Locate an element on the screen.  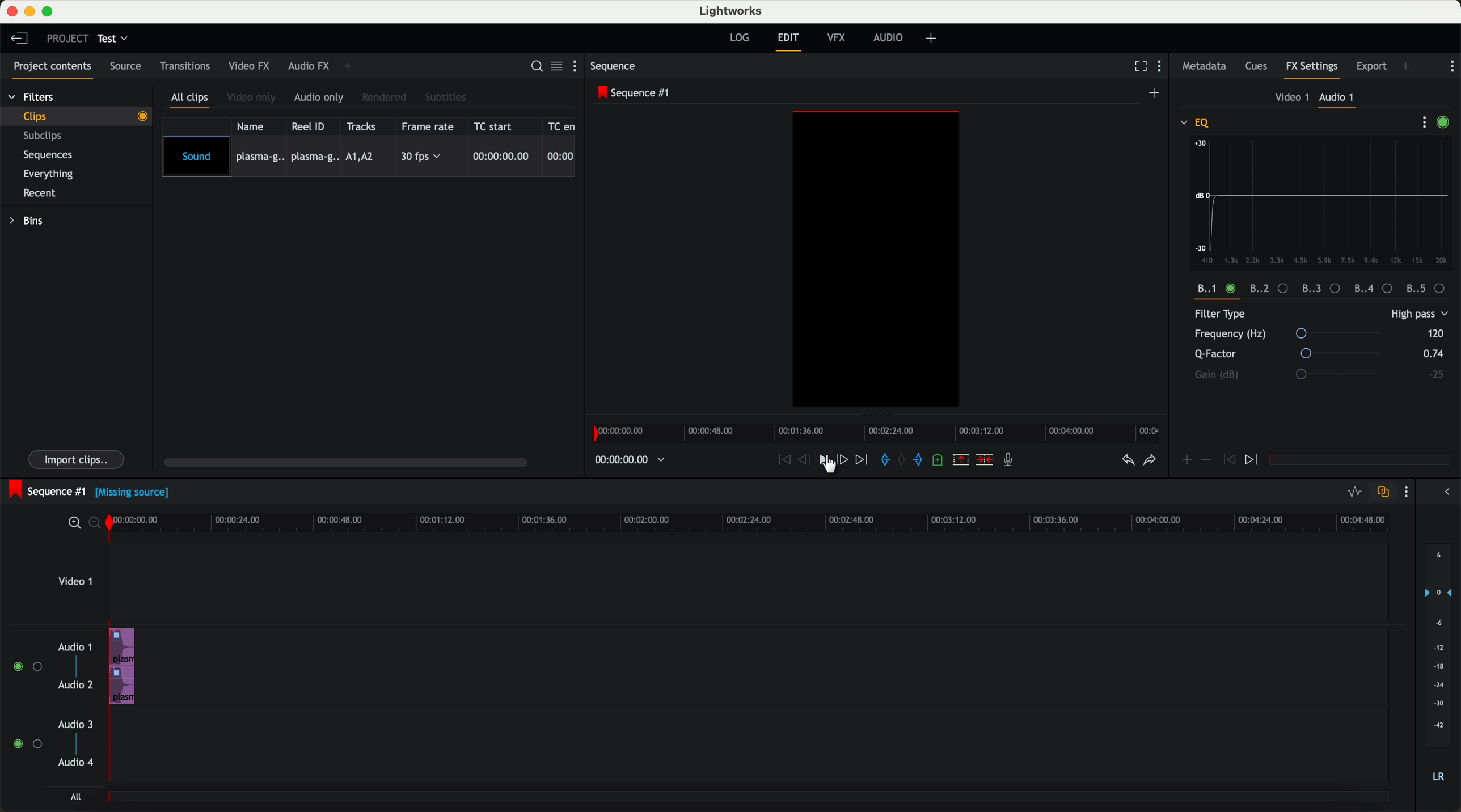
maximize is located at coordinates (50, 11).